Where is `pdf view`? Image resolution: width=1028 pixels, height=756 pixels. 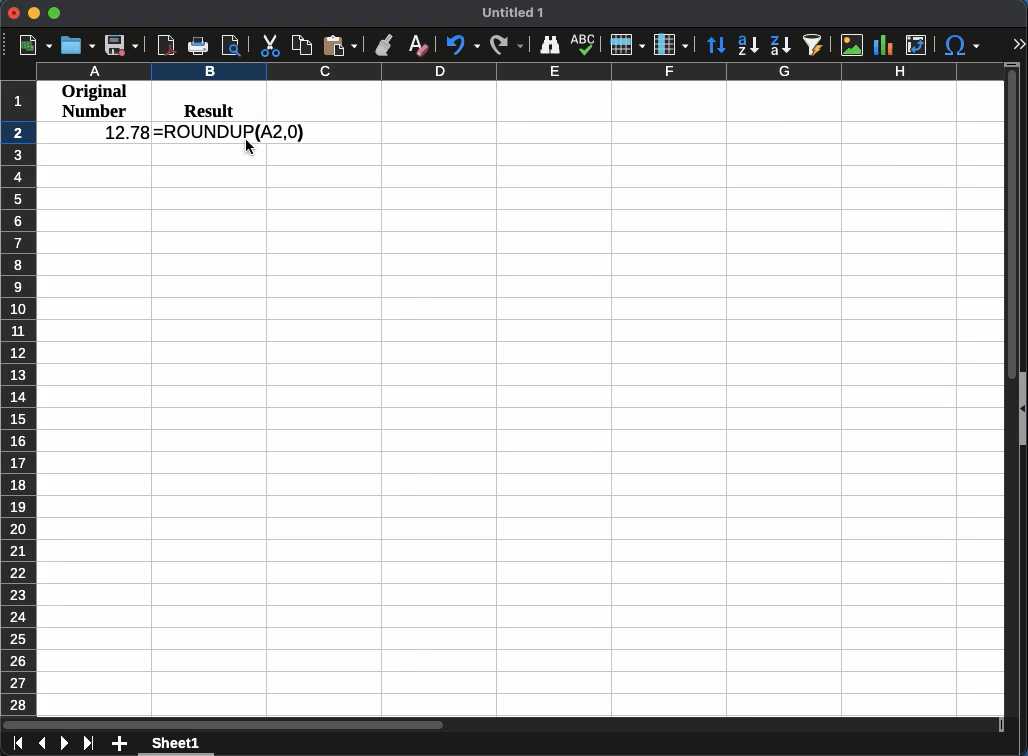
pdf view is located at coordinates (166, 44).